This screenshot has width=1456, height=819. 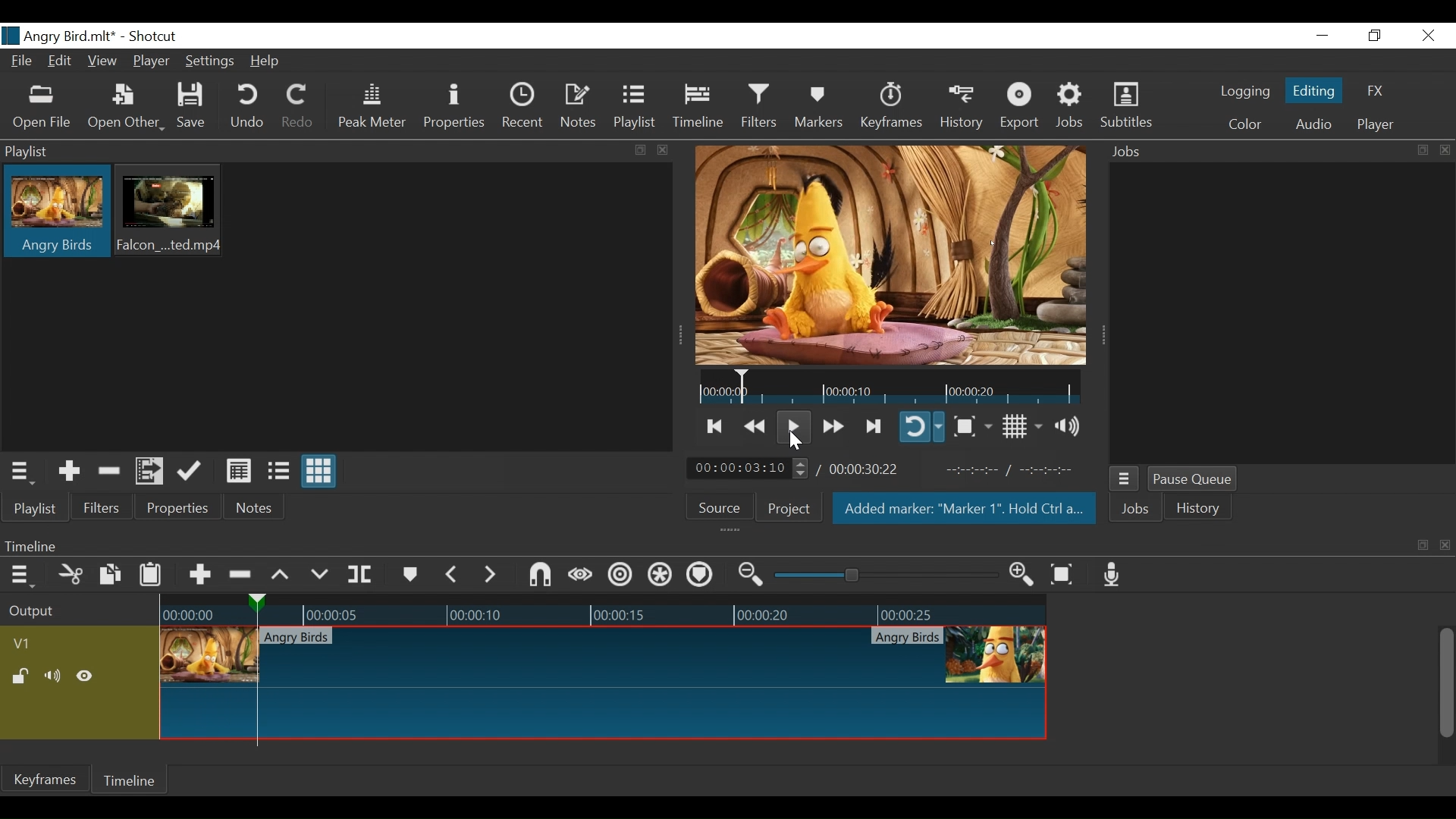 I want to click on Clip, so click(x=174, y=212).